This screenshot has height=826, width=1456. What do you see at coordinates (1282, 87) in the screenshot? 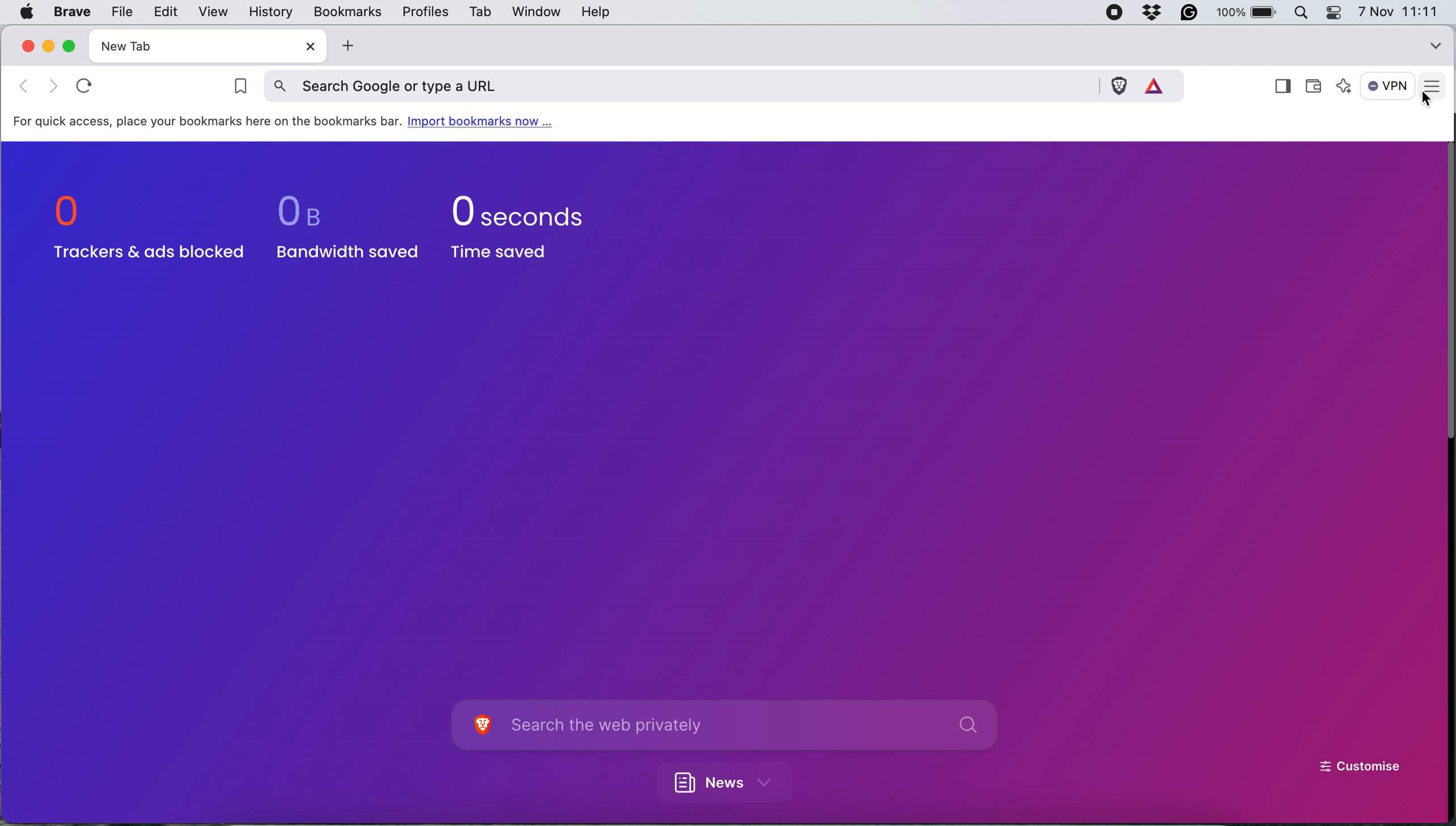
I see `show sidebar` at bounding box center [1282, 87].